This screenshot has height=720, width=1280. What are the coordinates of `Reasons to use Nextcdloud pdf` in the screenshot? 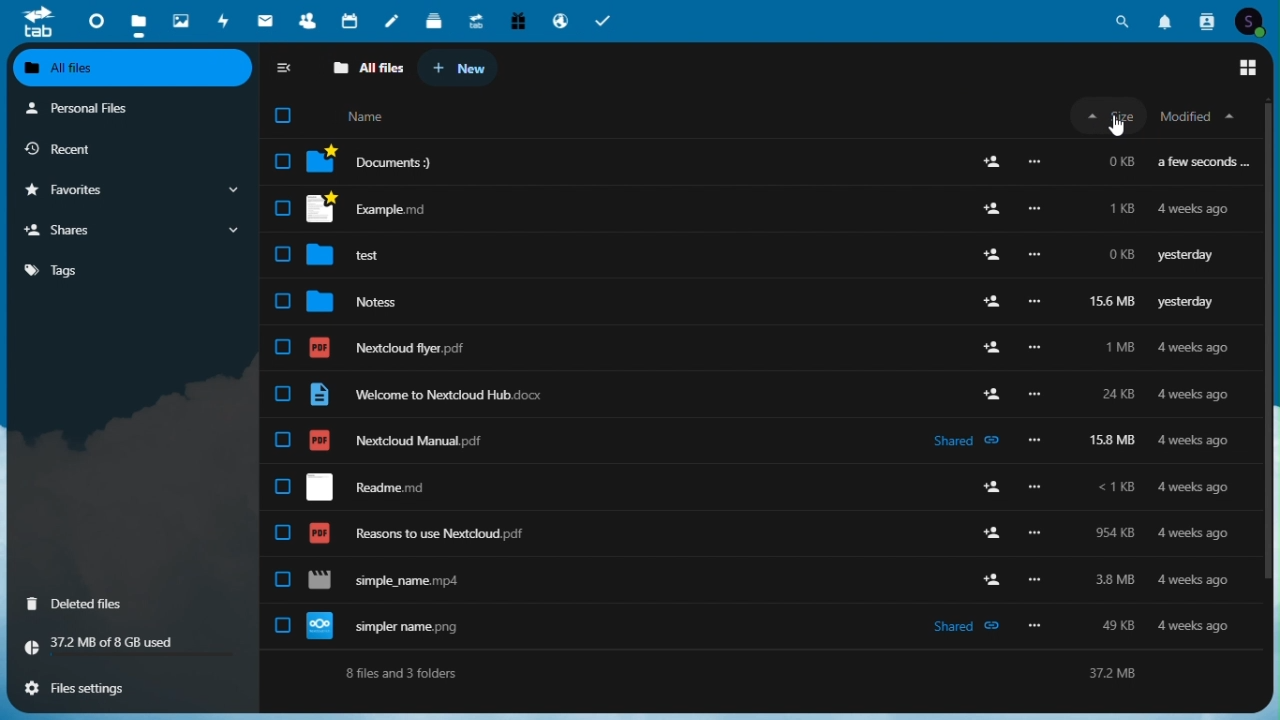 It's located at (756, 534).